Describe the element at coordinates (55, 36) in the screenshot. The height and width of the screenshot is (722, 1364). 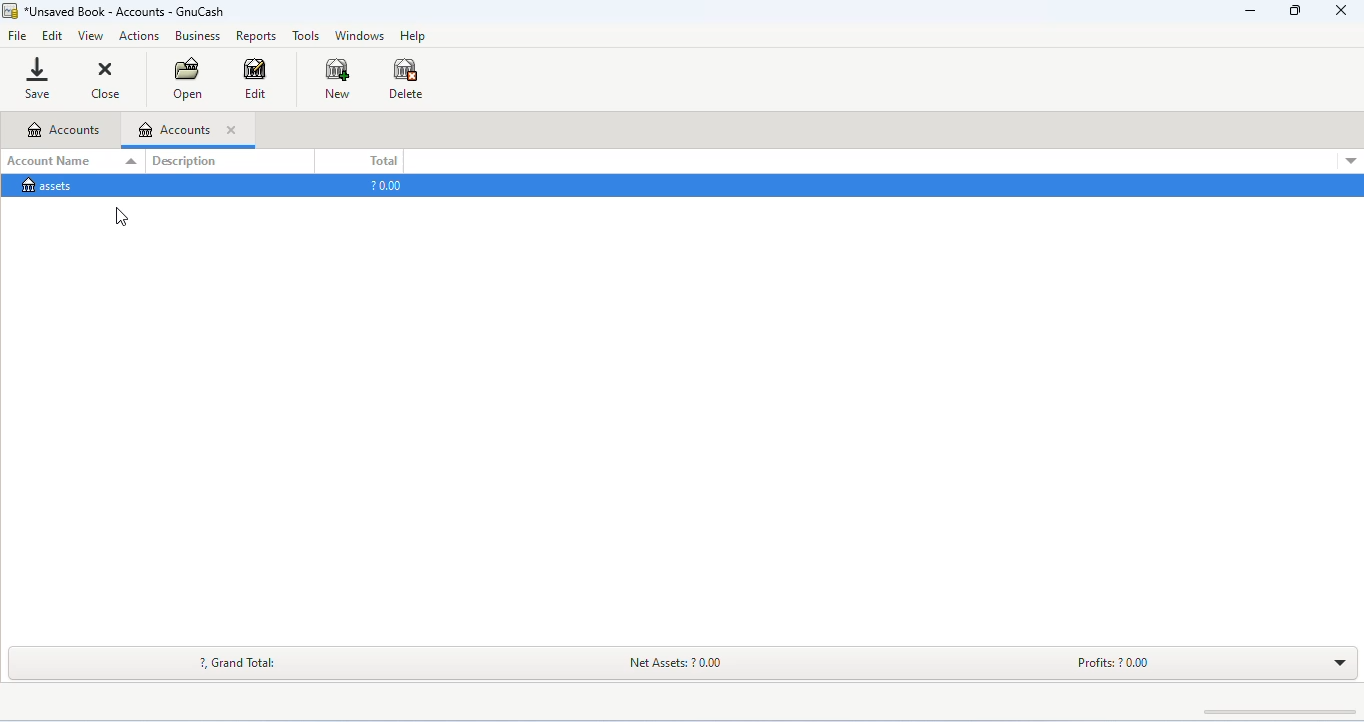
I see `edit` at that location.